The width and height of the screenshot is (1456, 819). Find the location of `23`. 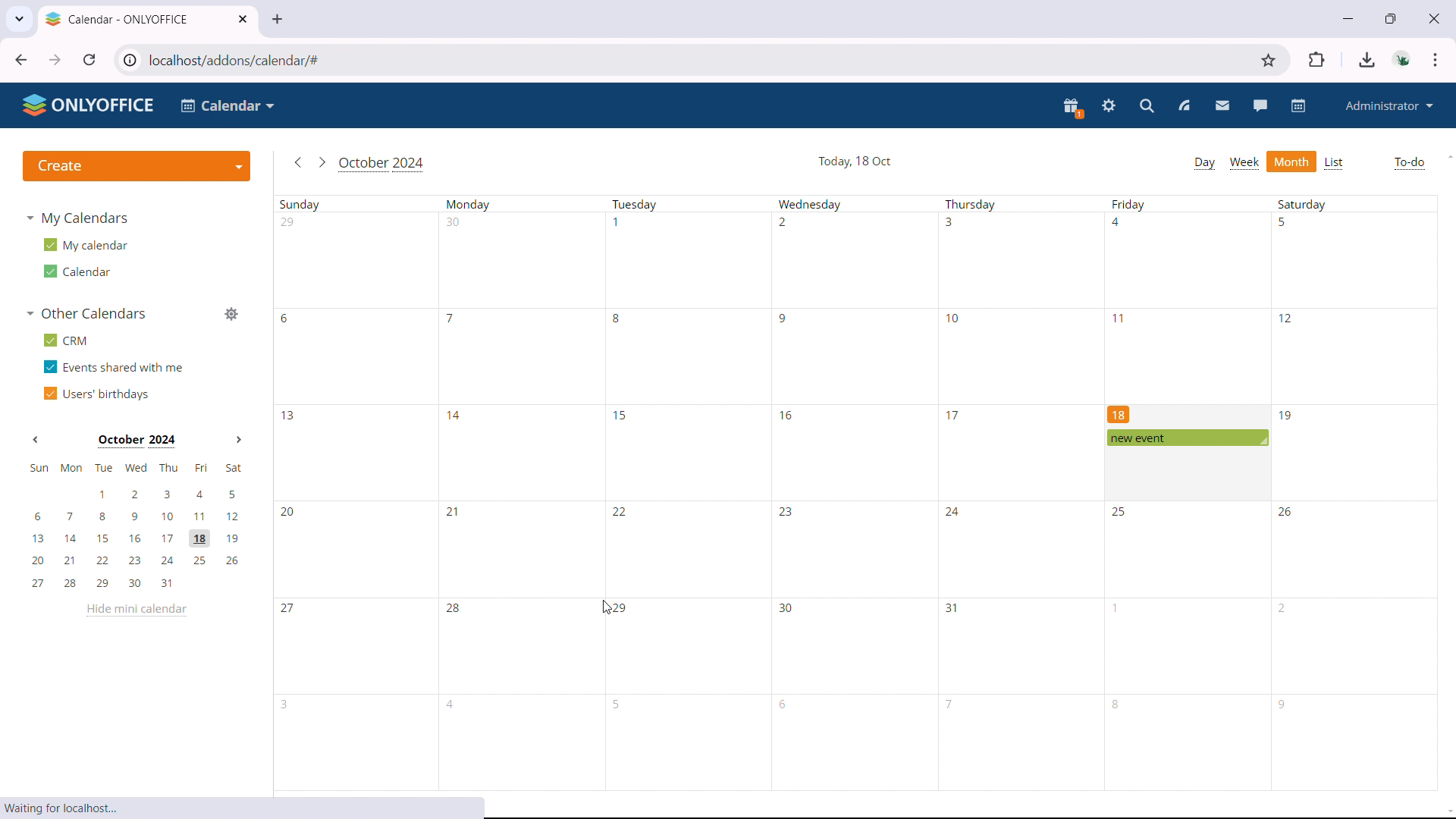

23 is located at coordinates (786, 514).